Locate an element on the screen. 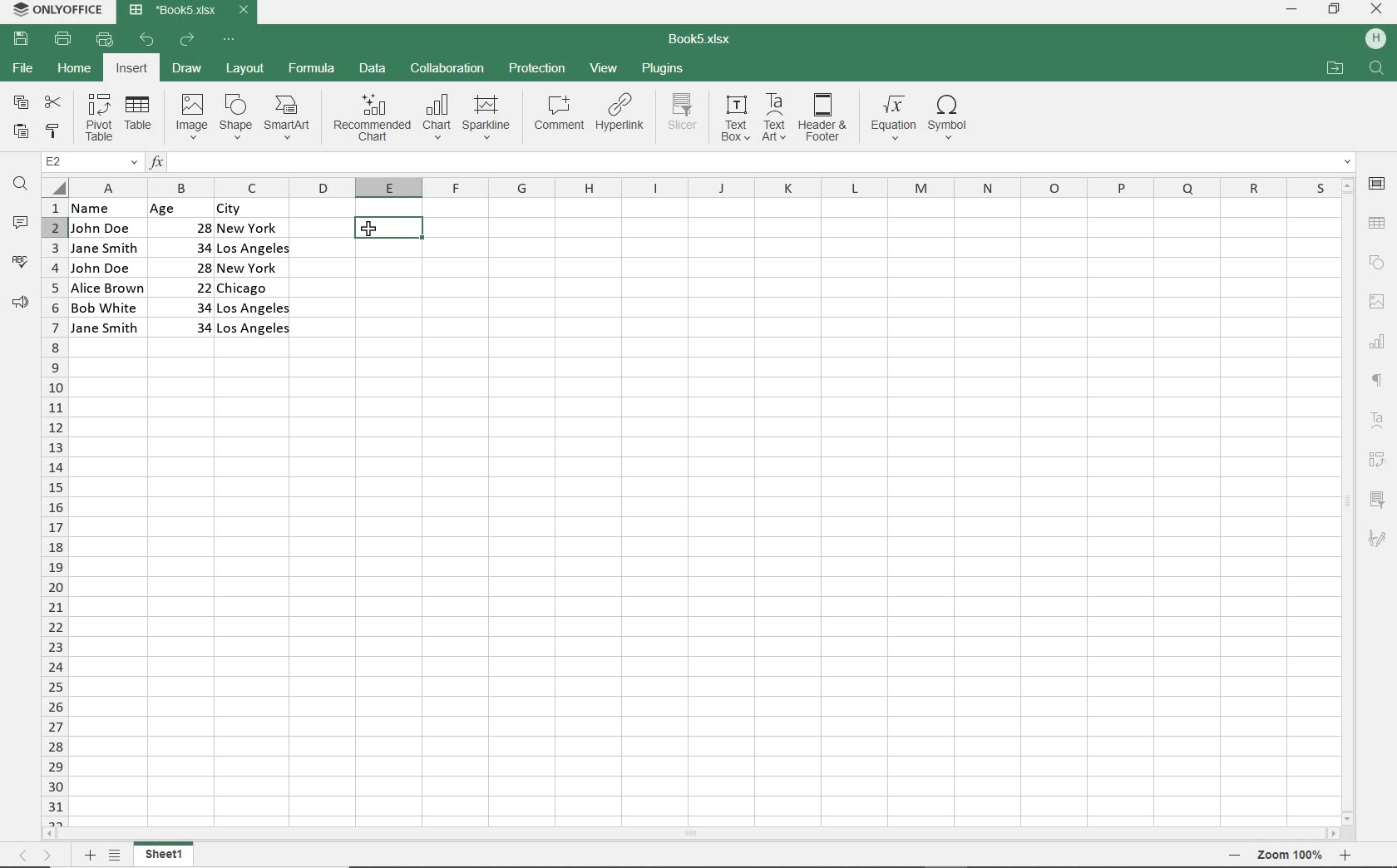  Jane Smith is located at coordinates (103, 248).